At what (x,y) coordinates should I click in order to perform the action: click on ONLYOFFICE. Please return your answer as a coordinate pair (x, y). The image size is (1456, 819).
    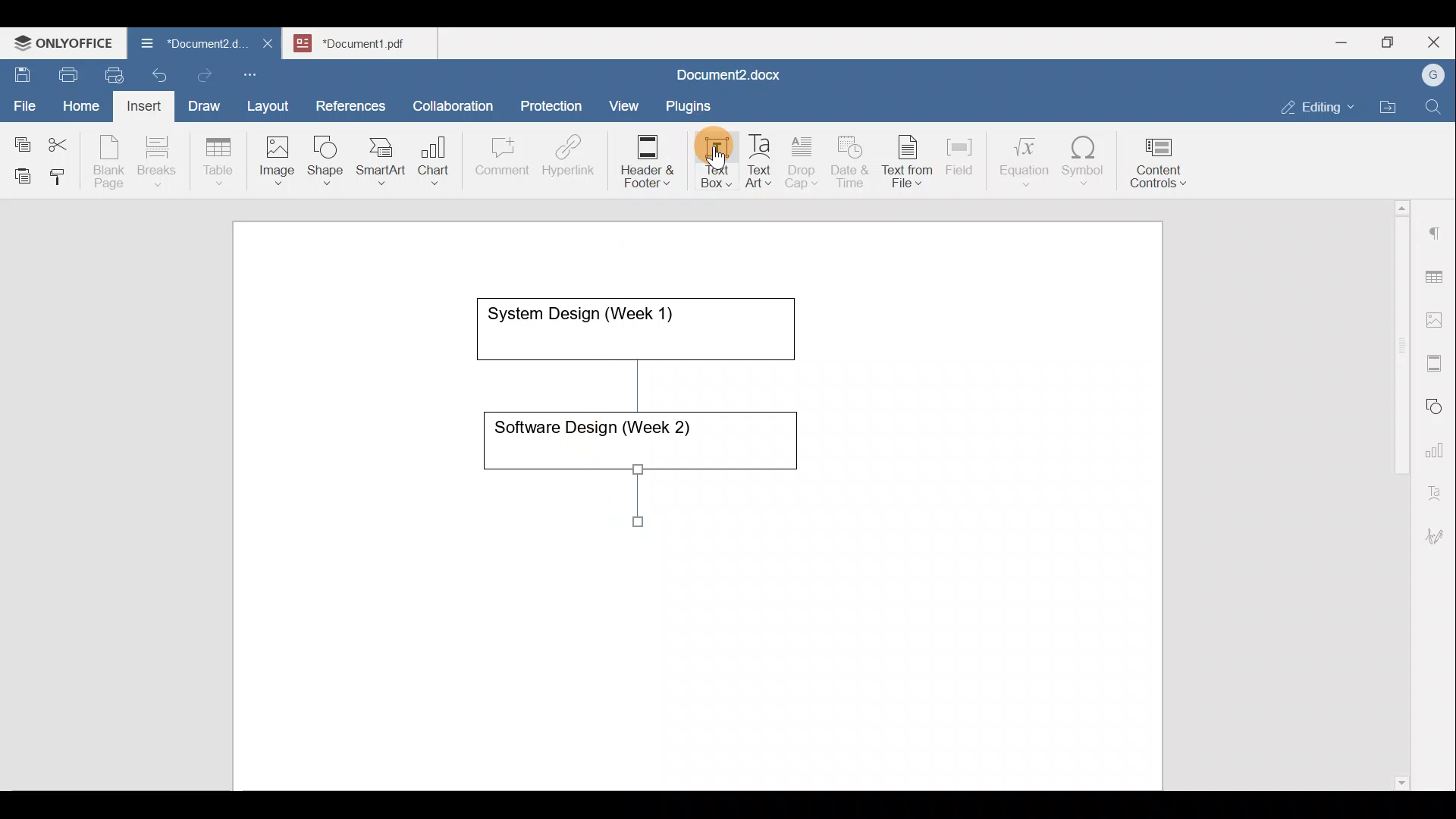
    Looking at the image, I should click on (64, 42).